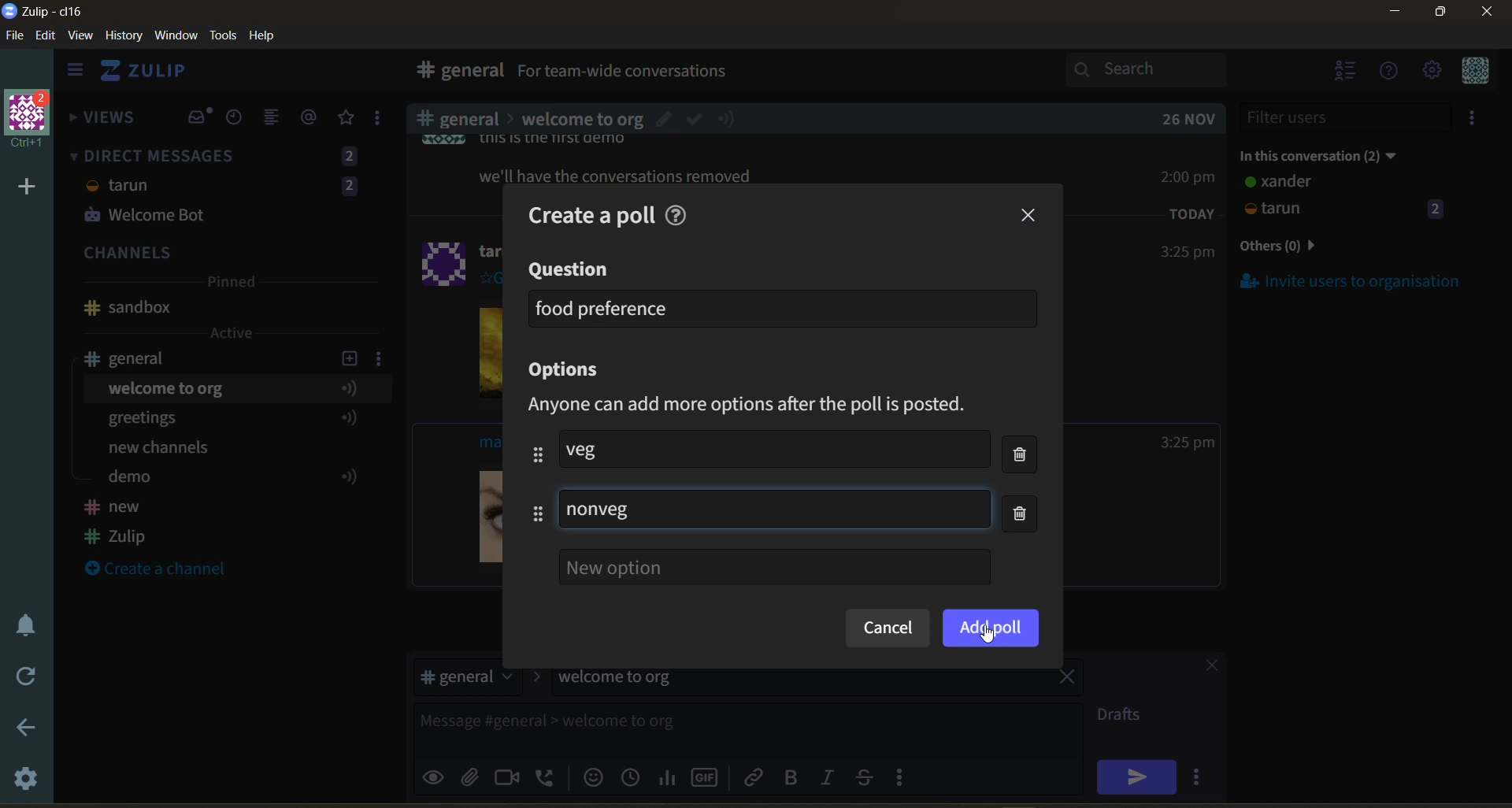 Image resolution: width=1512 pixels, height=808 pixels. Describe the element at coordinates (906, 776) in the screenshot. I see `compose actions` at that location.